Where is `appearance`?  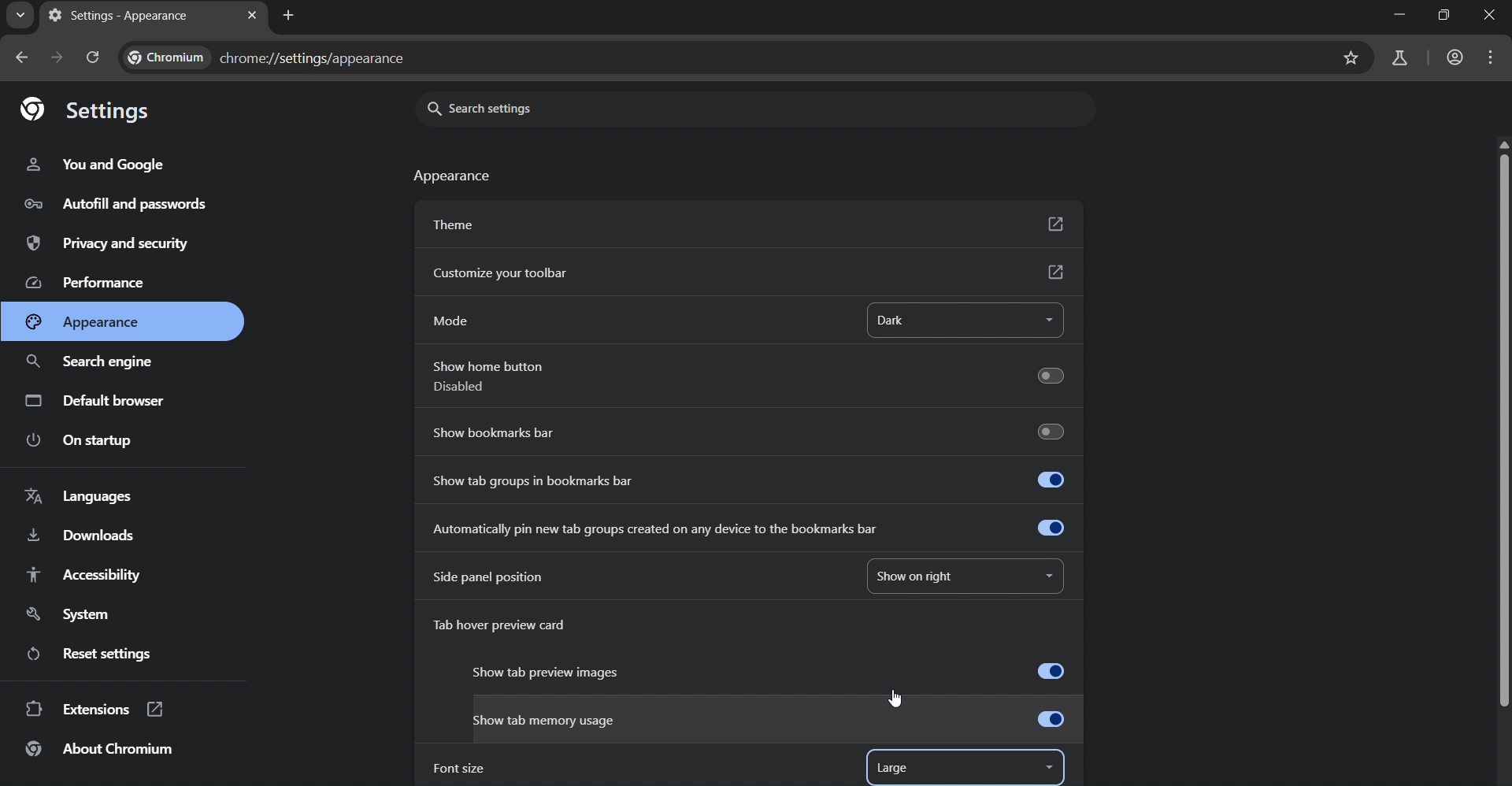 appearance is located at coordinates (84, 321).